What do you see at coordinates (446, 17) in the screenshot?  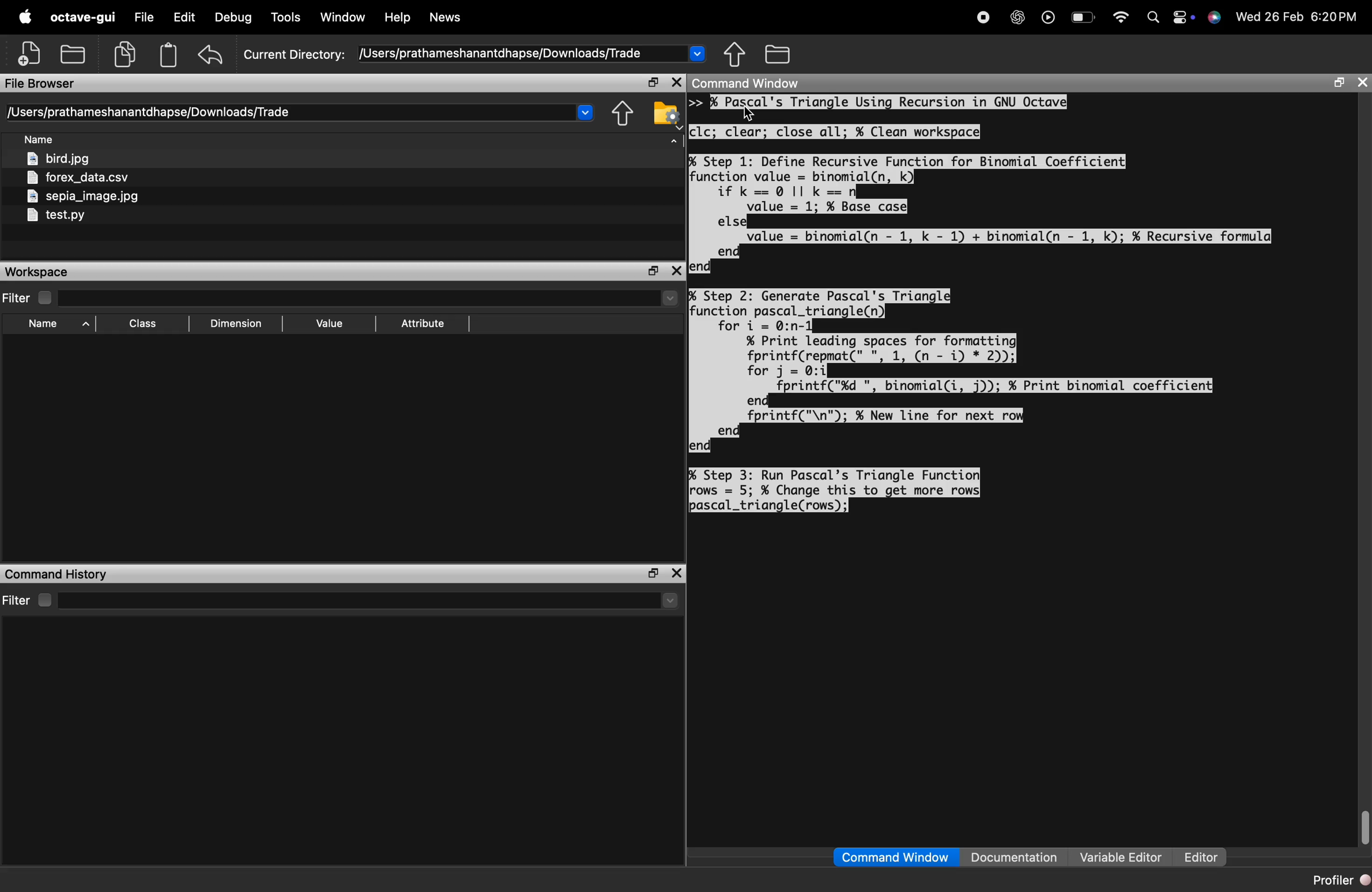 I see `News` at bounding box center [446, 17].